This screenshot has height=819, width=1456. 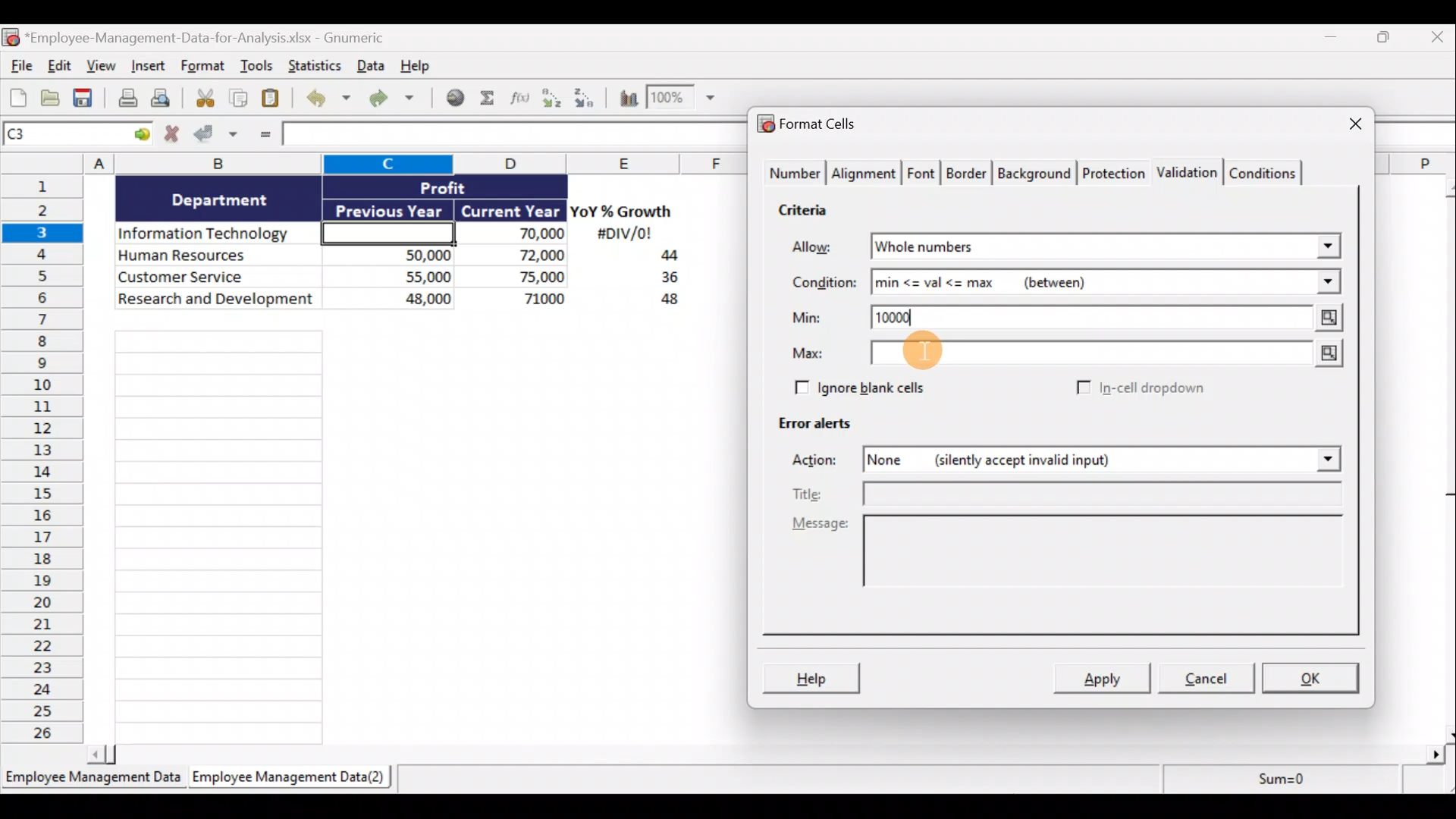 What do you see at coordinates (215, 256) in the screenshot?
I see `Human Resources` at bounding box center [215, 256].